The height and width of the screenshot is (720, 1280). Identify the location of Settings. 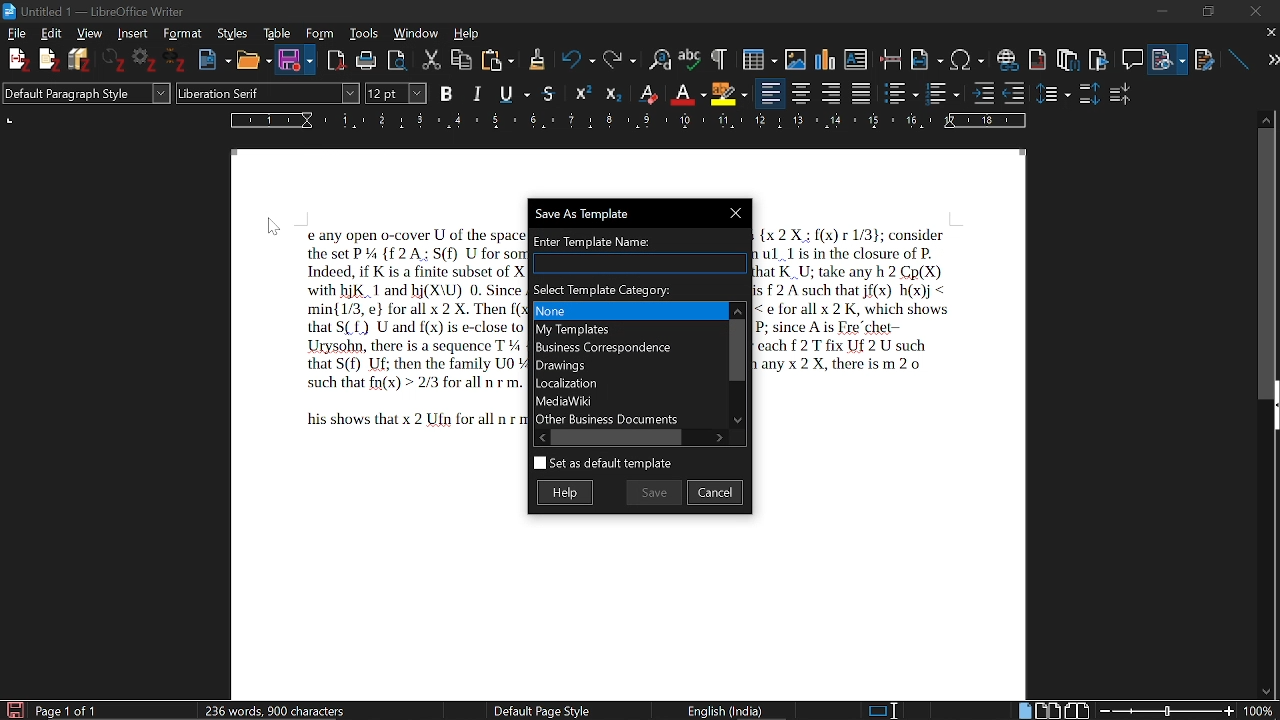
(147, 62).